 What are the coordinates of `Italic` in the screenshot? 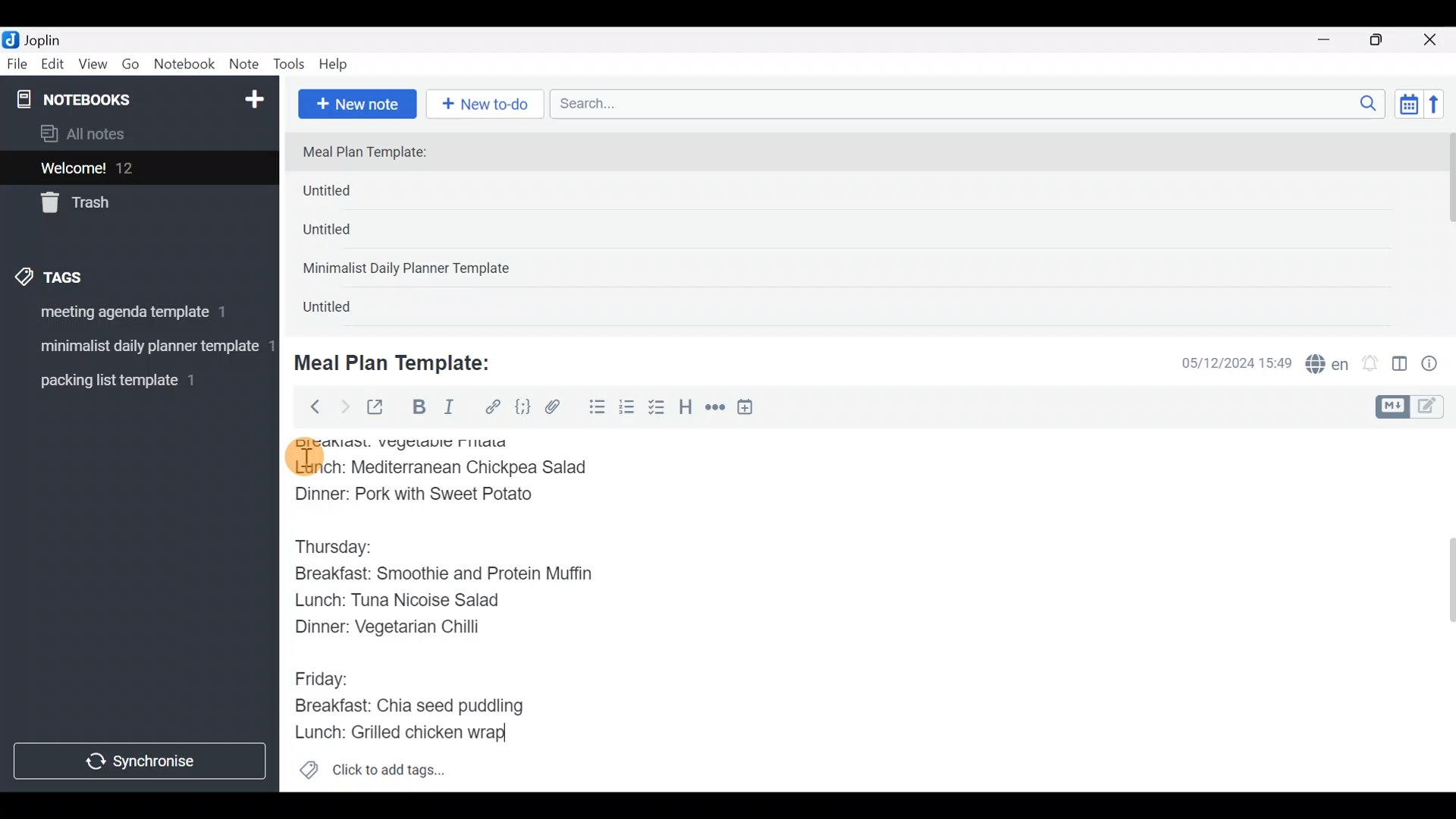 It's located at (447, 410).